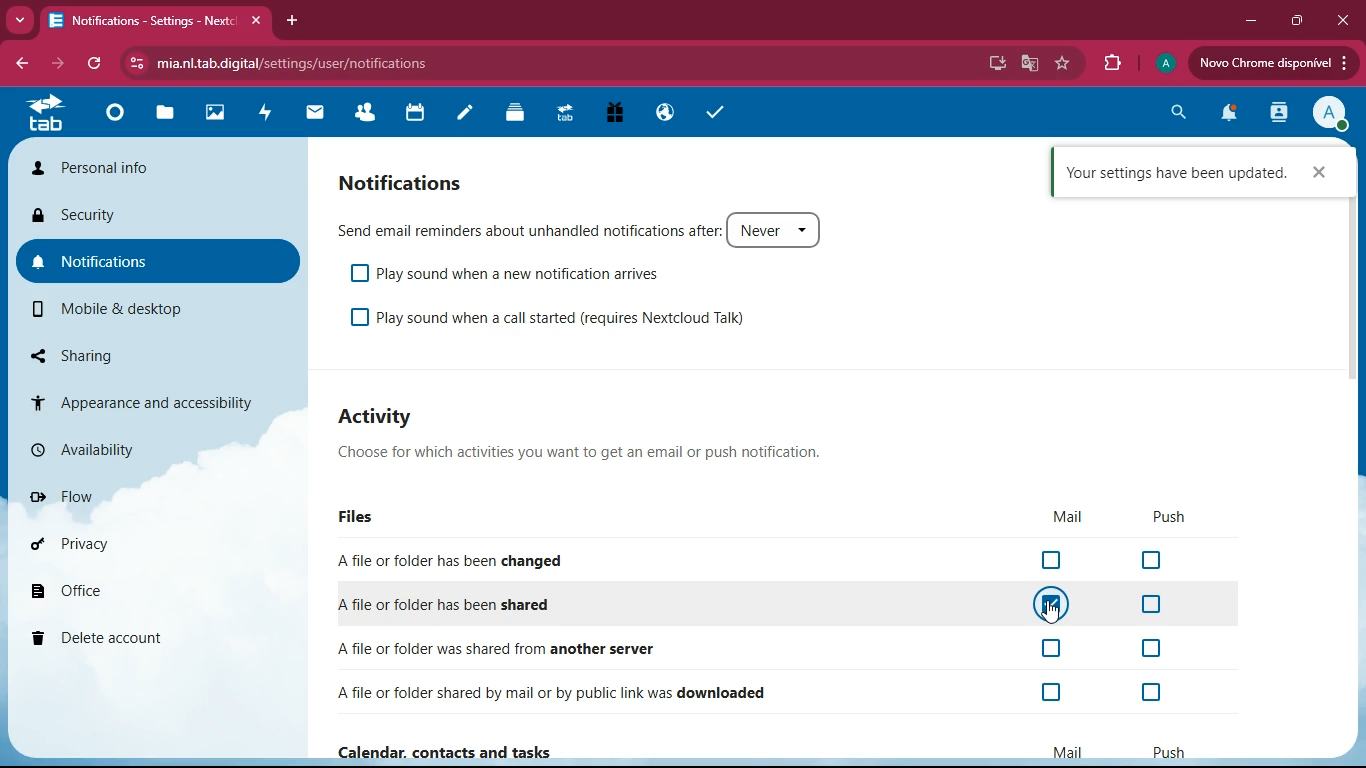 This screenshot has width=1366, height=768. Describe the element at coordinates (390, 412) in the screenshot. I see `activity` at that location.